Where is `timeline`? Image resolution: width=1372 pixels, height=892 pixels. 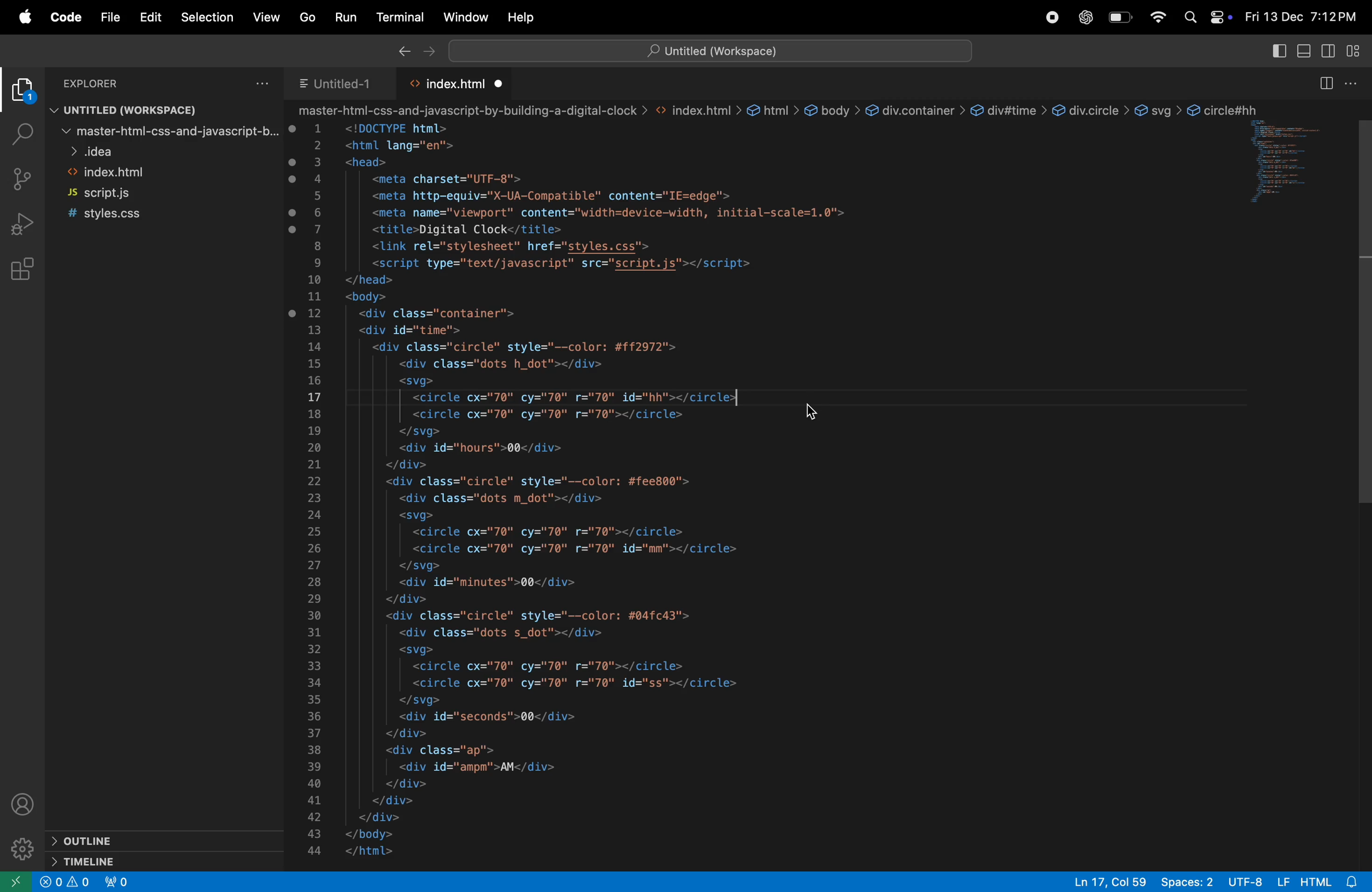 timeline is located at coordinates (122, 862).